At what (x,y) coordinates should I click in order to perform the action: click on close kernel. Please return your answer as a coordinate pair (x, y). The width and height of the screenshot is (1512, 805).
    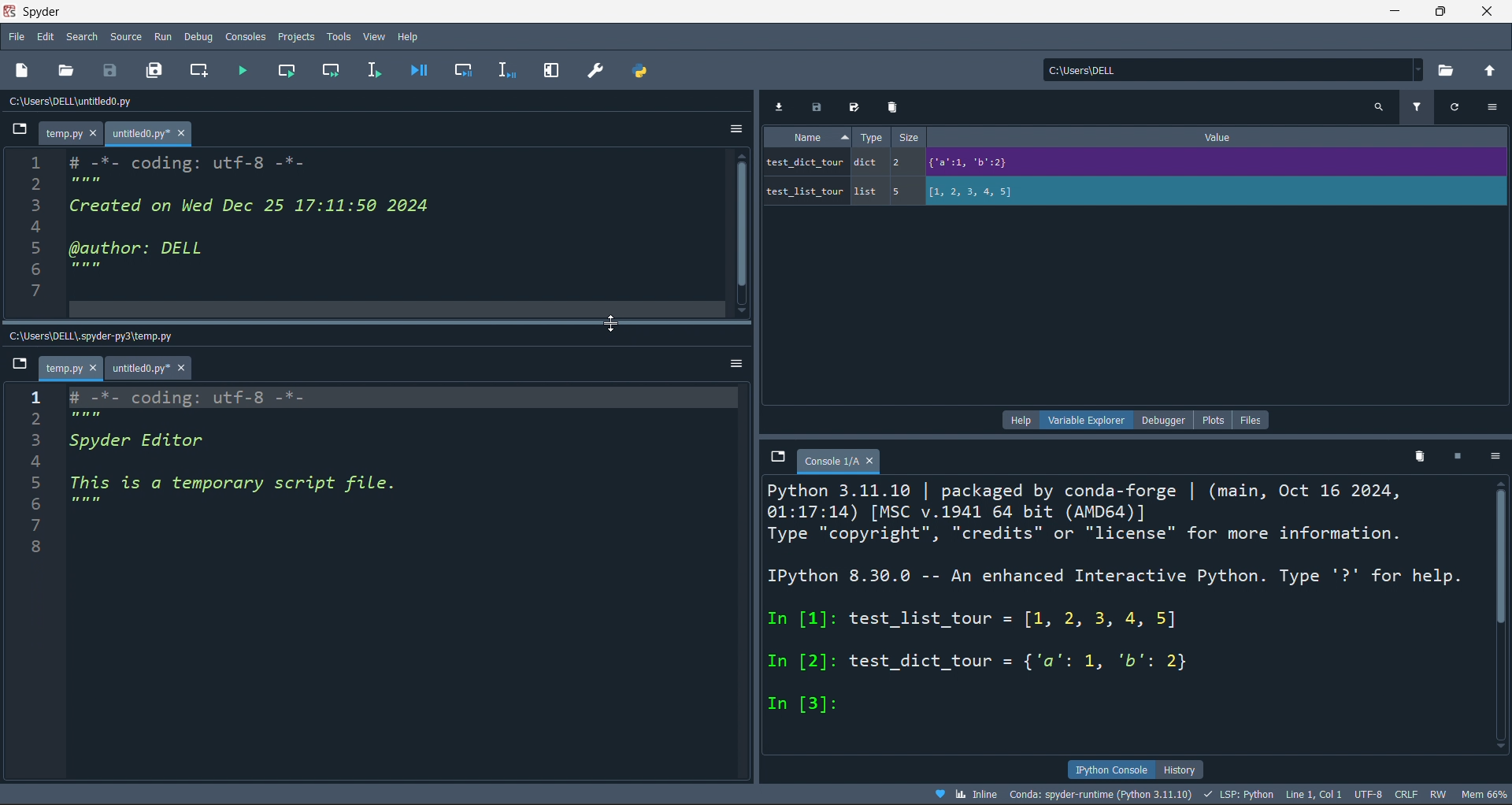
    Looking at the image, I should click on (1457, 459).